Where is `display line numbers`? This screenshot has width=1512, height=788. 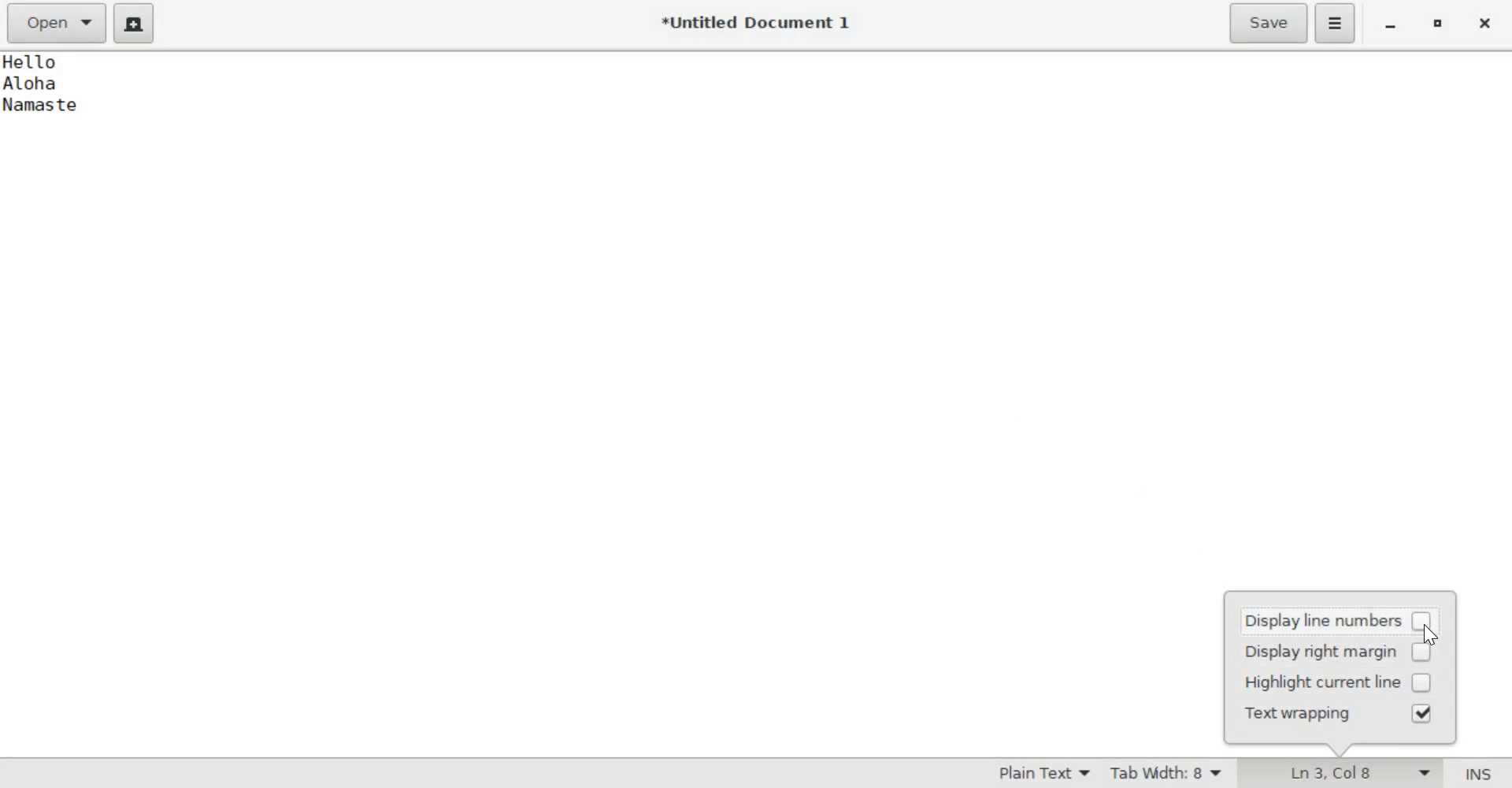 display line numbers is located at coordinates (1317, 623).